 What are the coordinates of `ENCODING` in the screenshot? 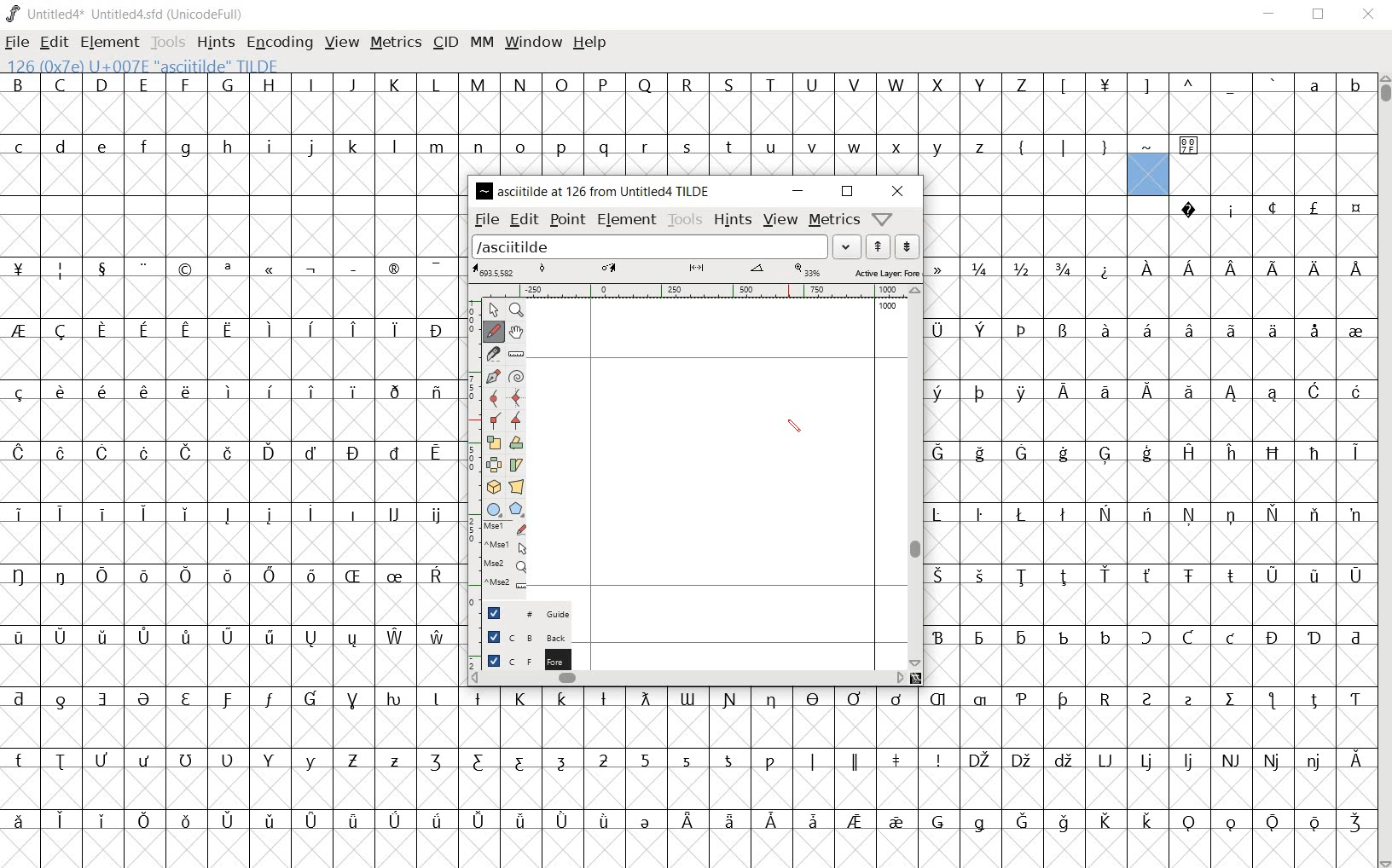 It's located at (281, 42).